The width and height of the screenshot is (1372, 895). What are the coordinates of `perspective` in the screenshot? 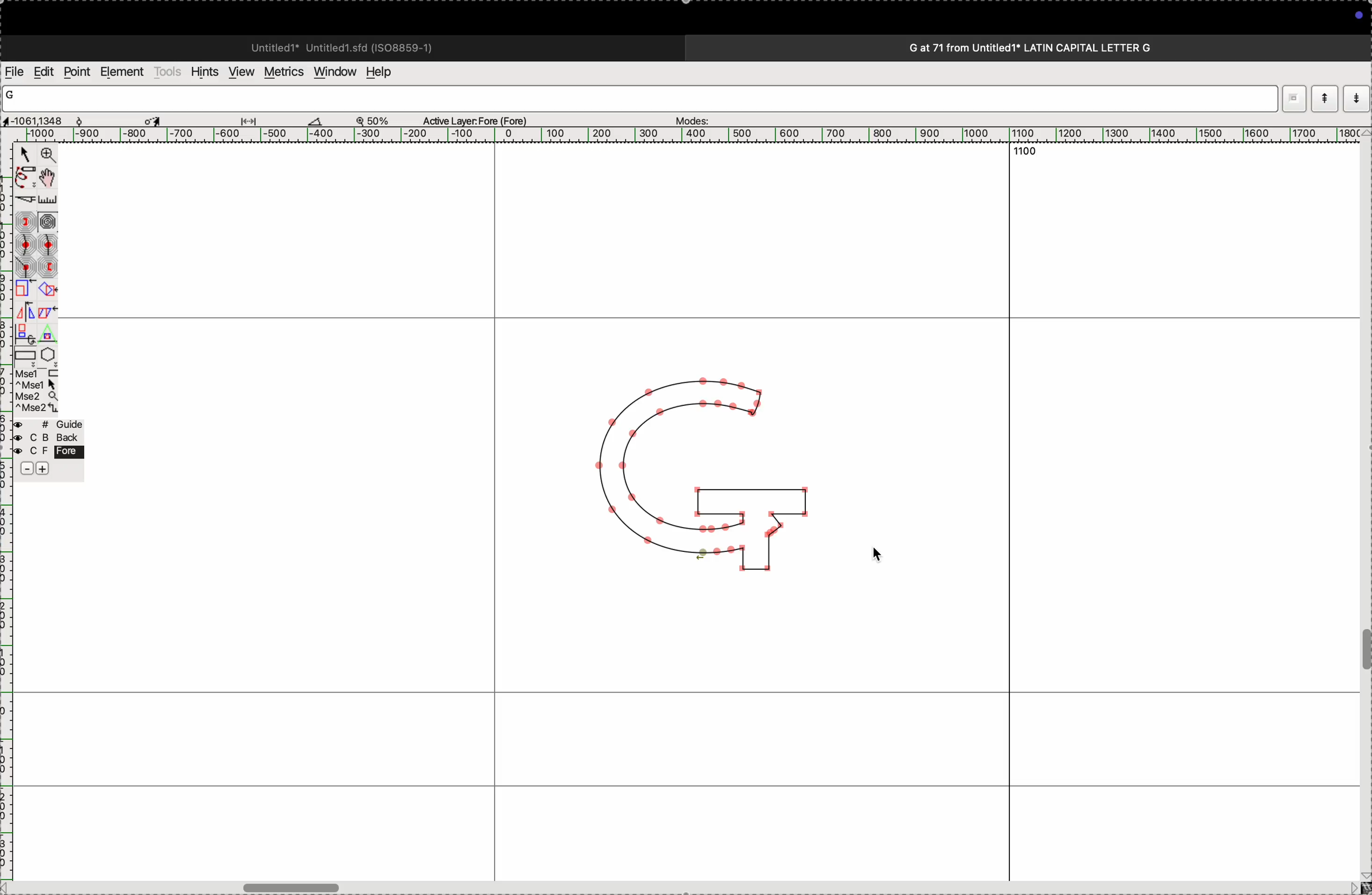 It's located at (47, 334).